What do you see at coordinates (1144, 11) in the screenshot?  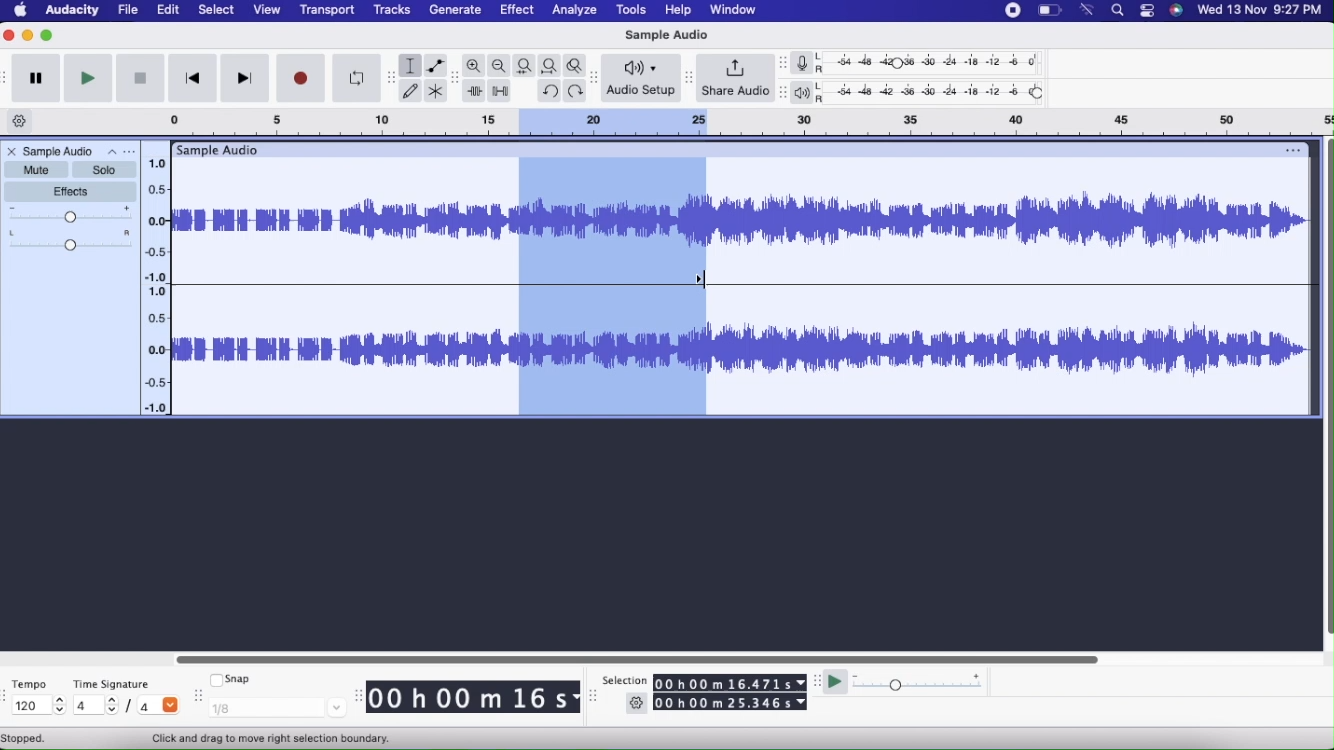 I see `app icon` at bounding box center [1144, 11].